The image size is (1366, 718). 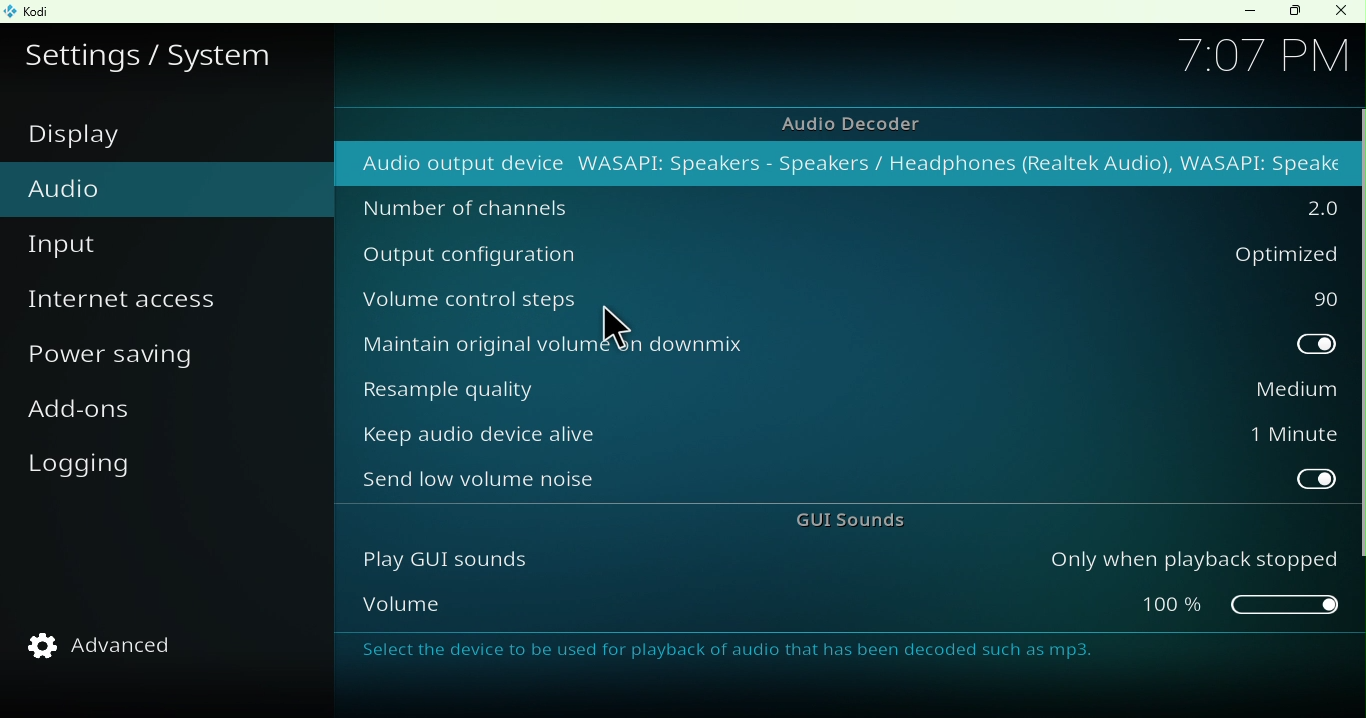 What do you see at coordinates (1223, 480) in the screenshot?
I see `toggle` at bounding box center [1223, 480].